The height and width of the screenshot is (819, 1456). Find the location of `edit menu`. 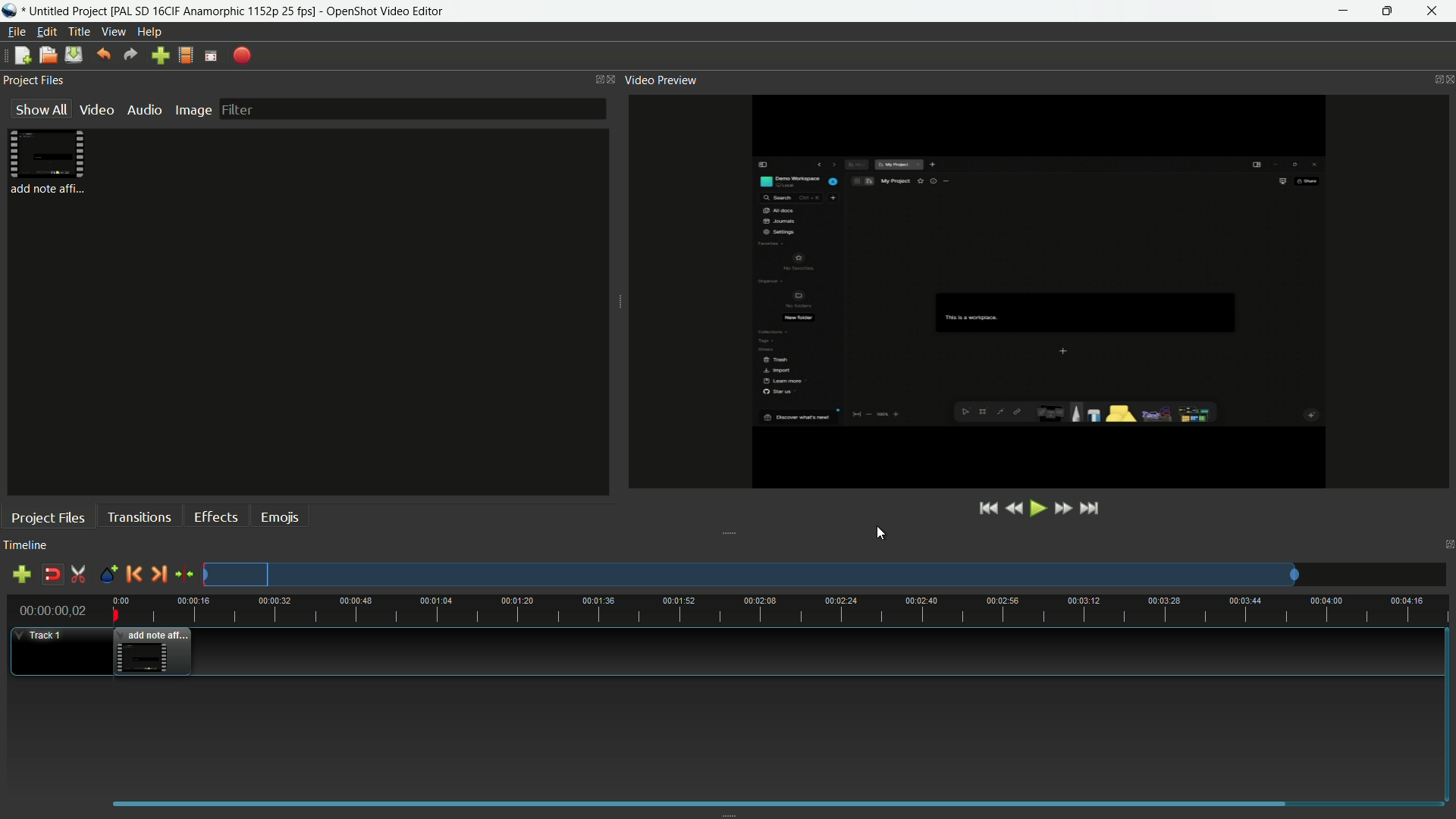

edit menu is located at coordinates (43, 31).